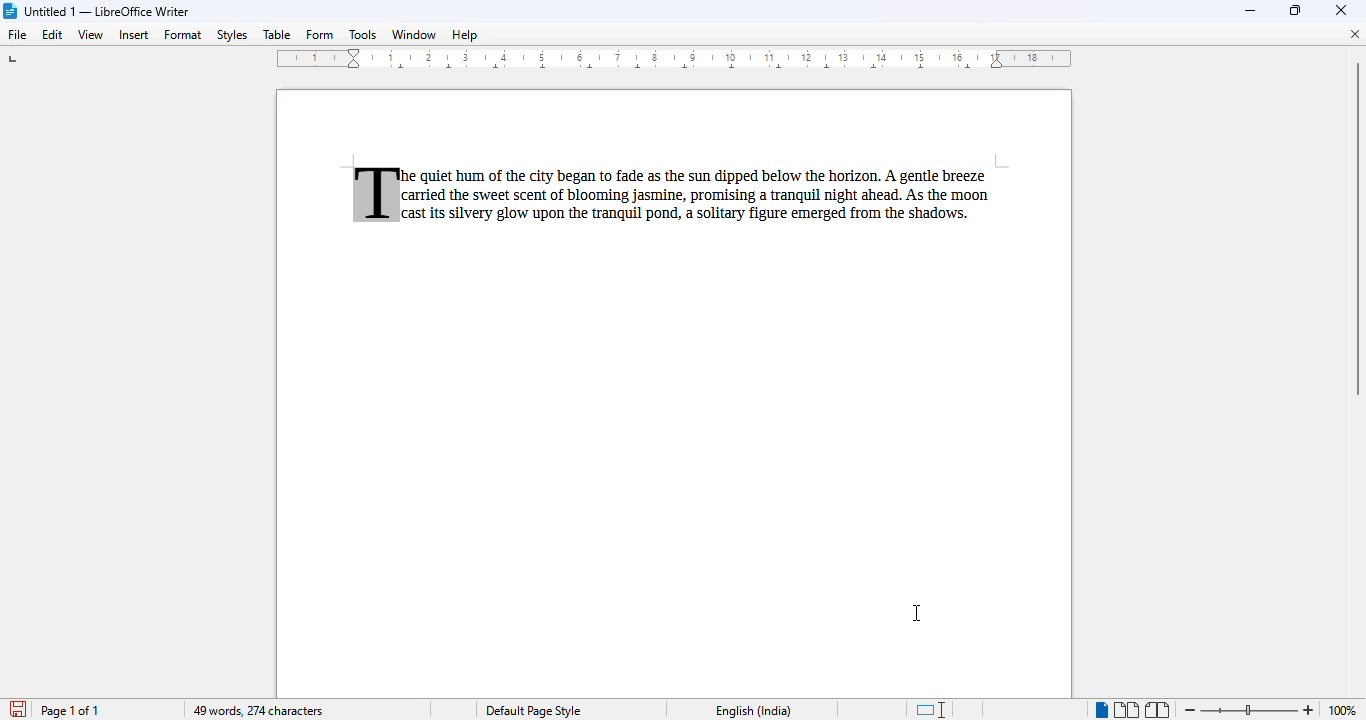  What do you see at coordinates (1248, 711) in the screenshot?
I see `zoom in or zoom out bar` at bounding box center [1248, 711].